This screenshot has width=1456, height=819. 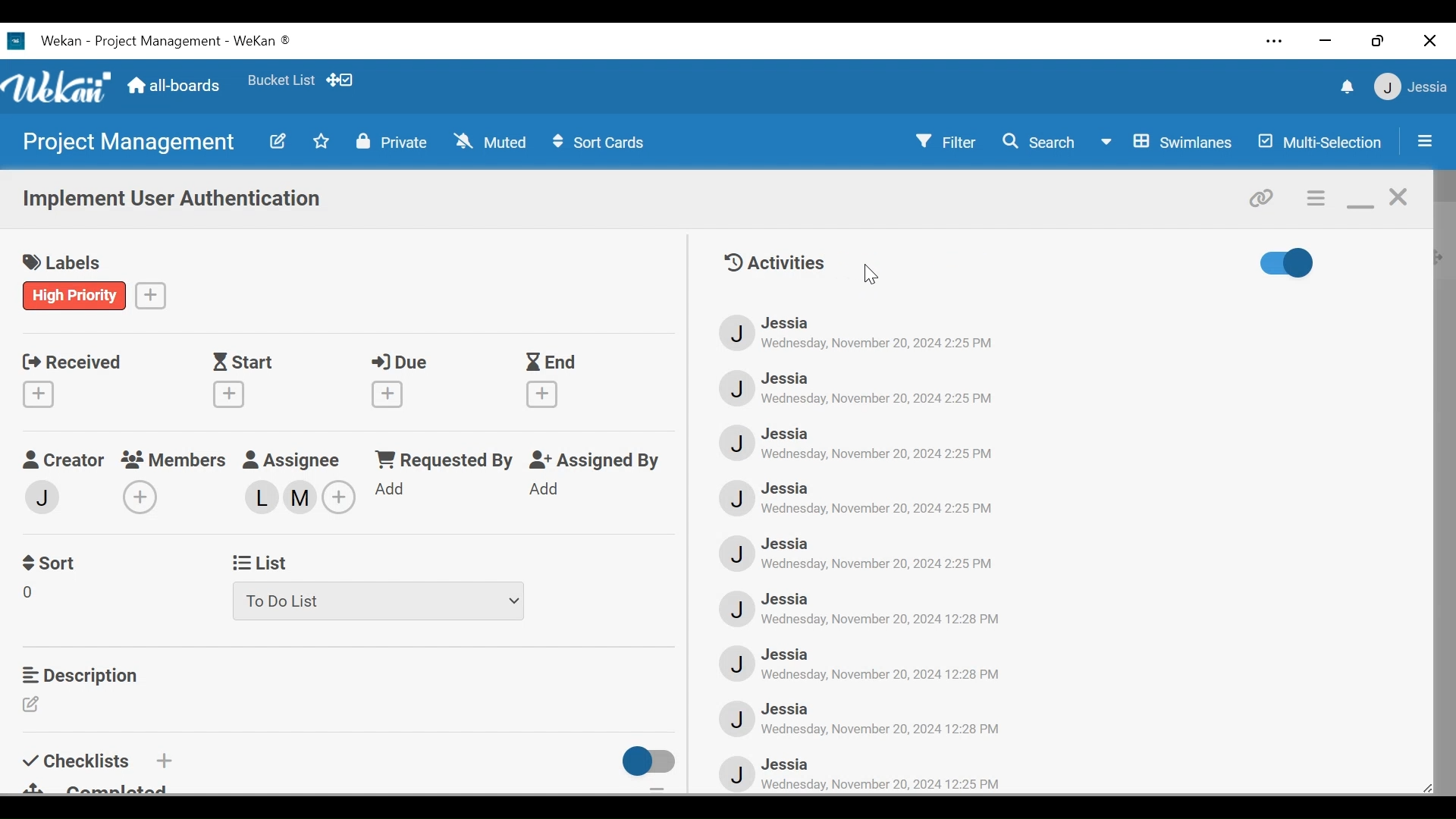 What do you see at coordinates (30, 592) in the screenshot?
I see `Sort Field` at bounding box center [30, 592].